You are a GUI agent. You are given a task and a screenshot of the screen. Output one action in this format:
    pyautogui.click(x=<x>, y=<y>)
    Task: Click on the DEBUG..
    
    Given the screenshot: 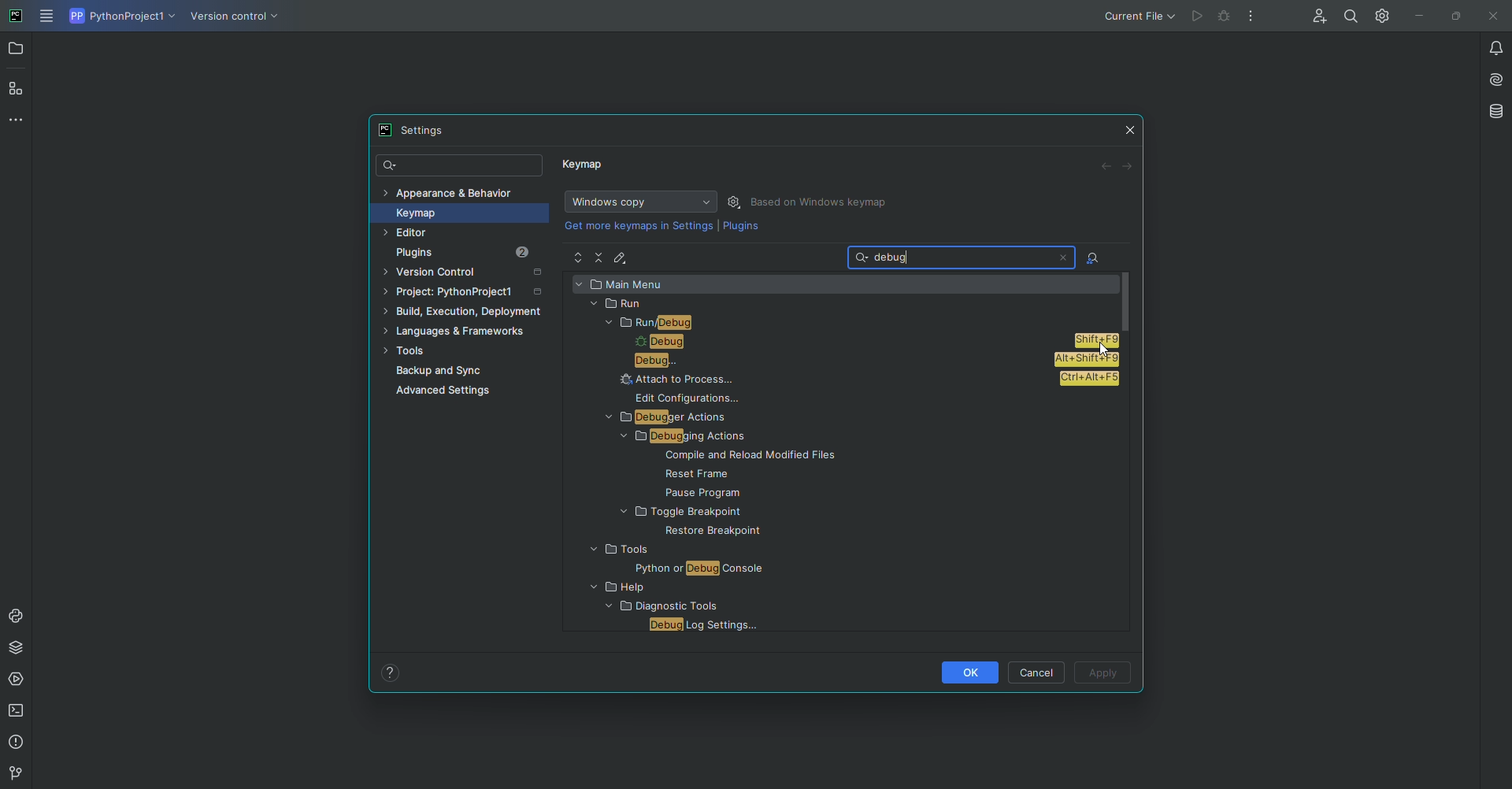 What is the action you would take?
    pyautogui.click(x=821, y=361)
    